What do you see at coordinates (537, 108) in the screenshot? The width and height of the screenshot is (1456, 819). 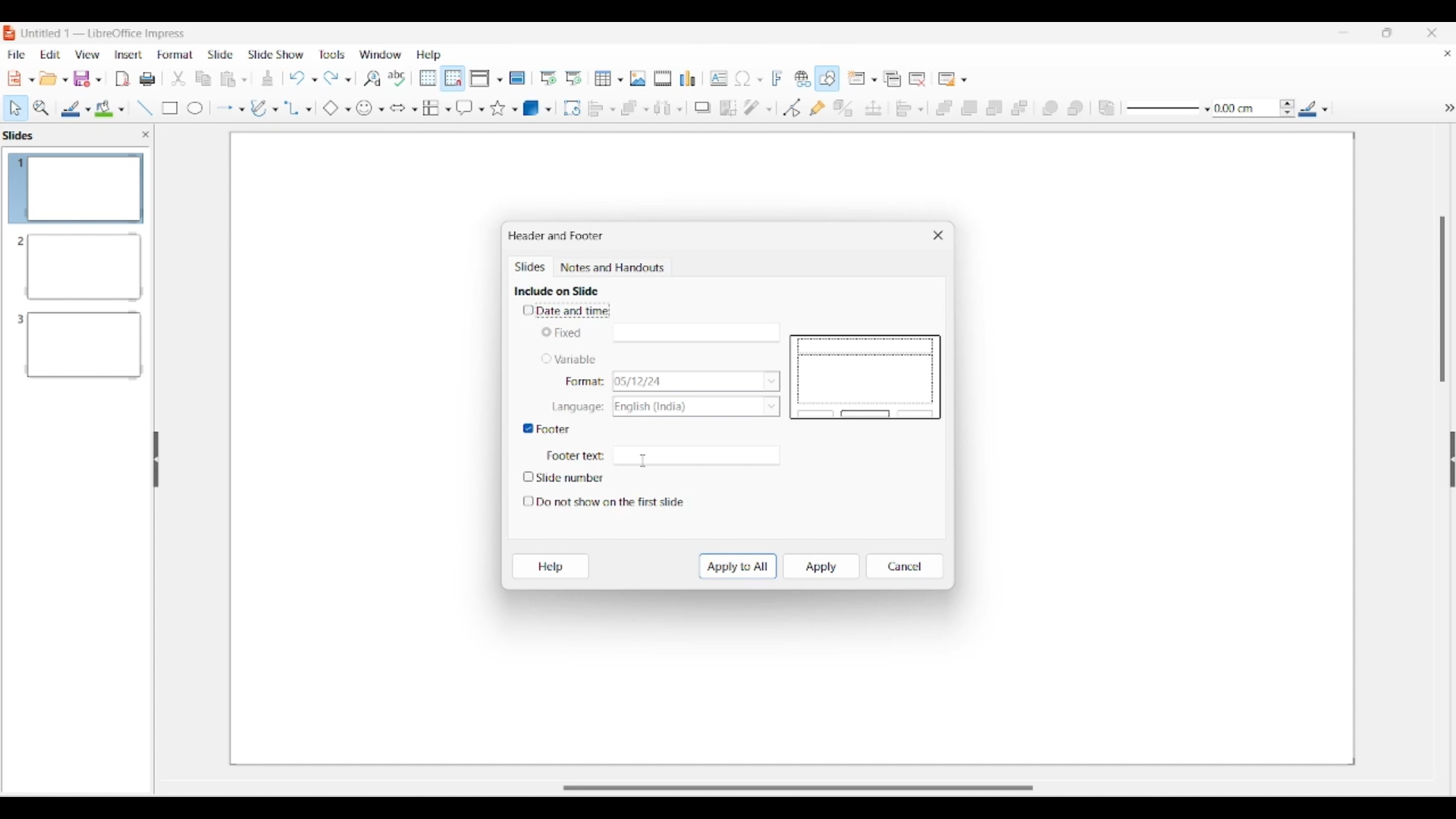 I see `3D object options` at bounding box center [537, 108].